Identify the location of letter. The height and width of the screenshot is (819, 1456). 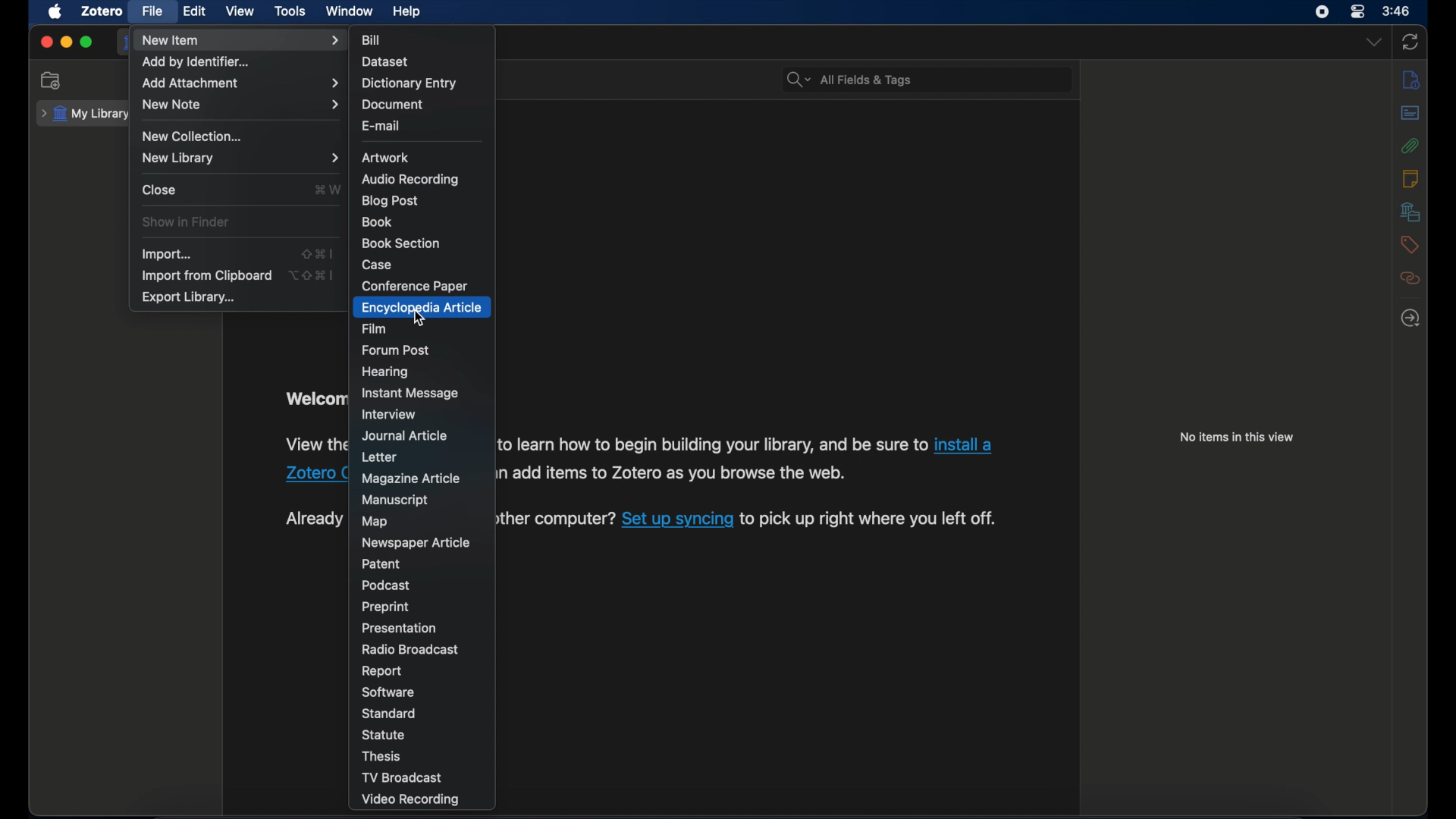
(381, 457).